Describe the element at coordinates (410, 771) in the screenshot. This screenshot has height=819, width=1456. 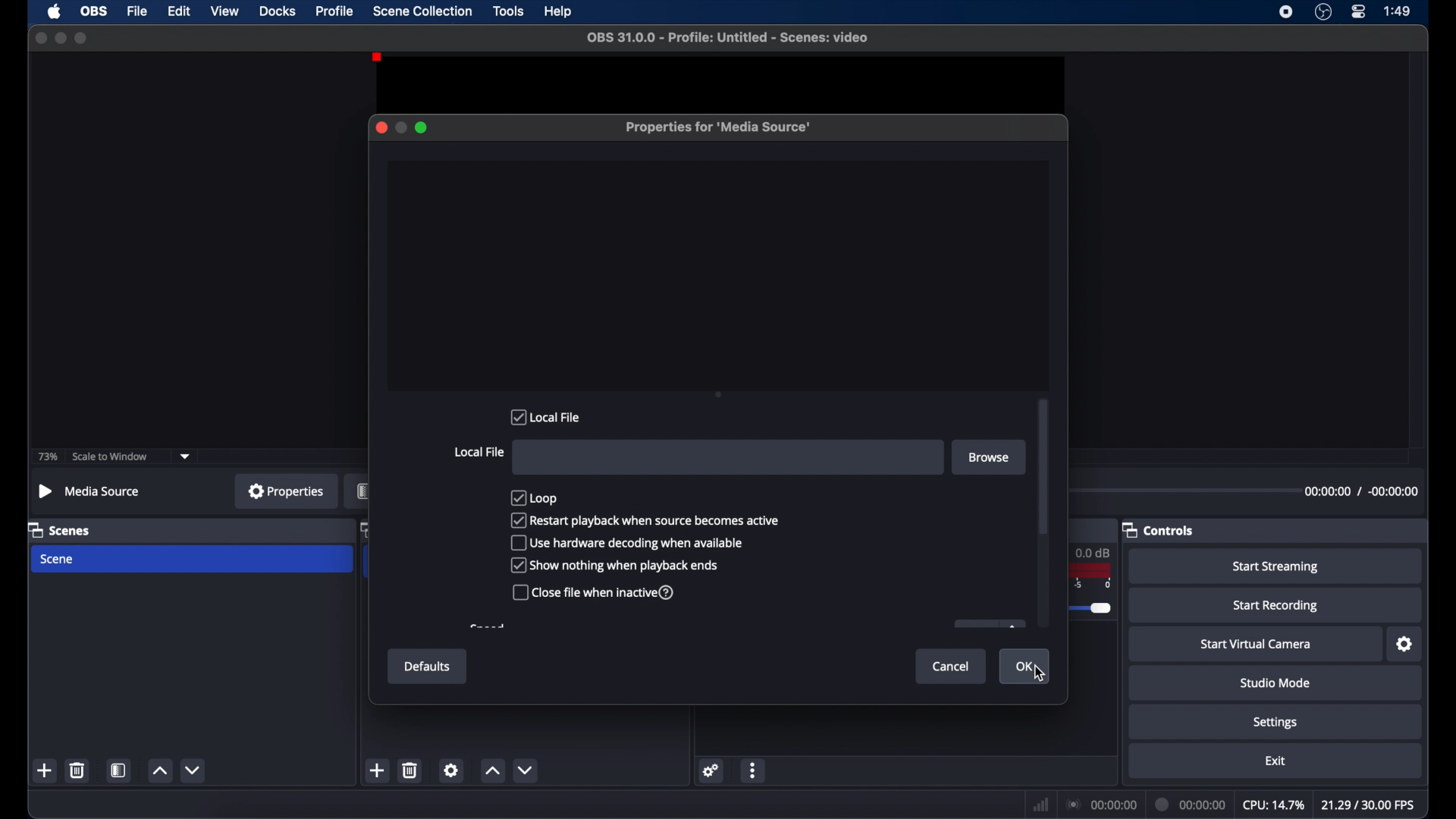
I see `delete` at that location.